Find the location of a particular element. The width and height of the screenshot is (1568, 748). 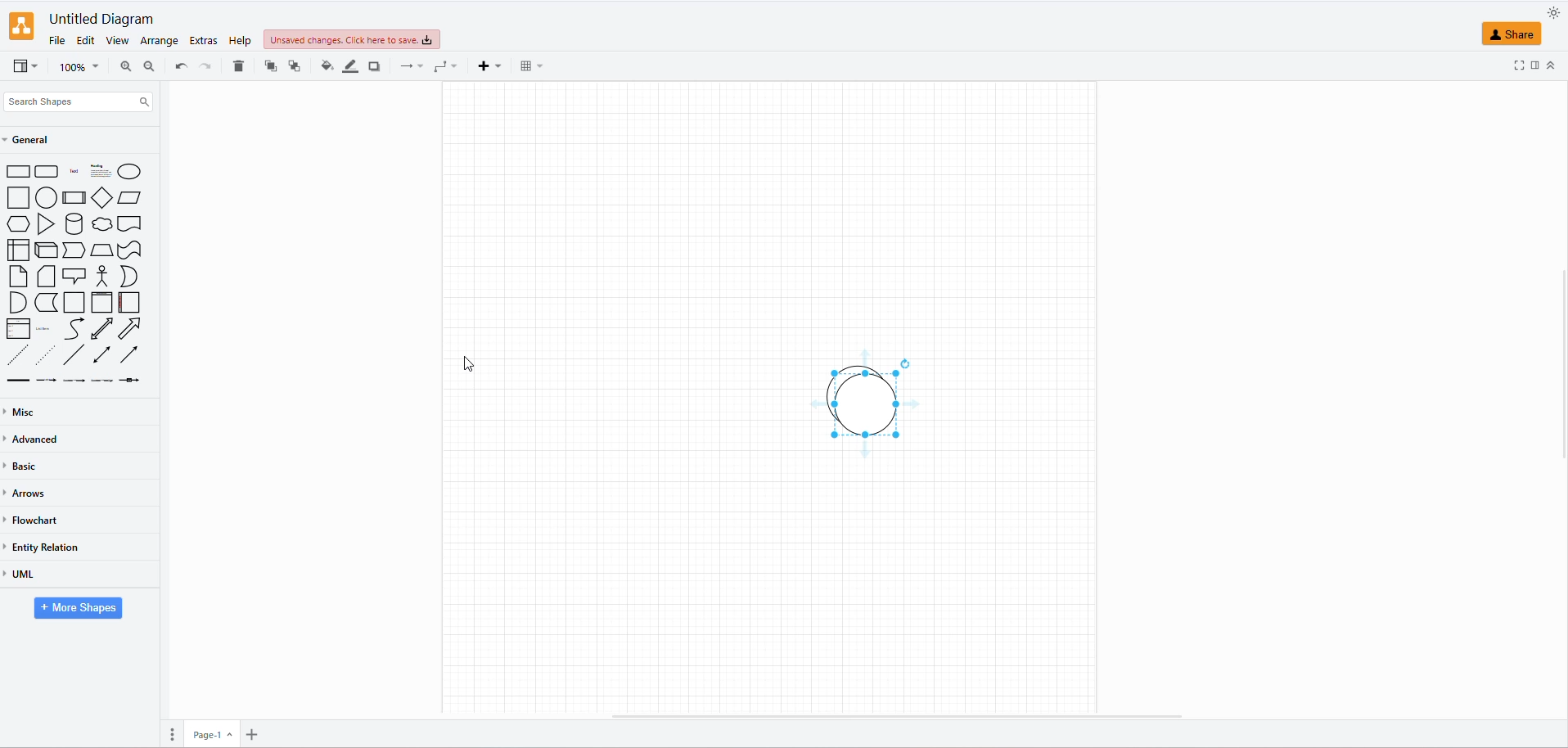

RECTANGLE is located at coordinates (16, 171).